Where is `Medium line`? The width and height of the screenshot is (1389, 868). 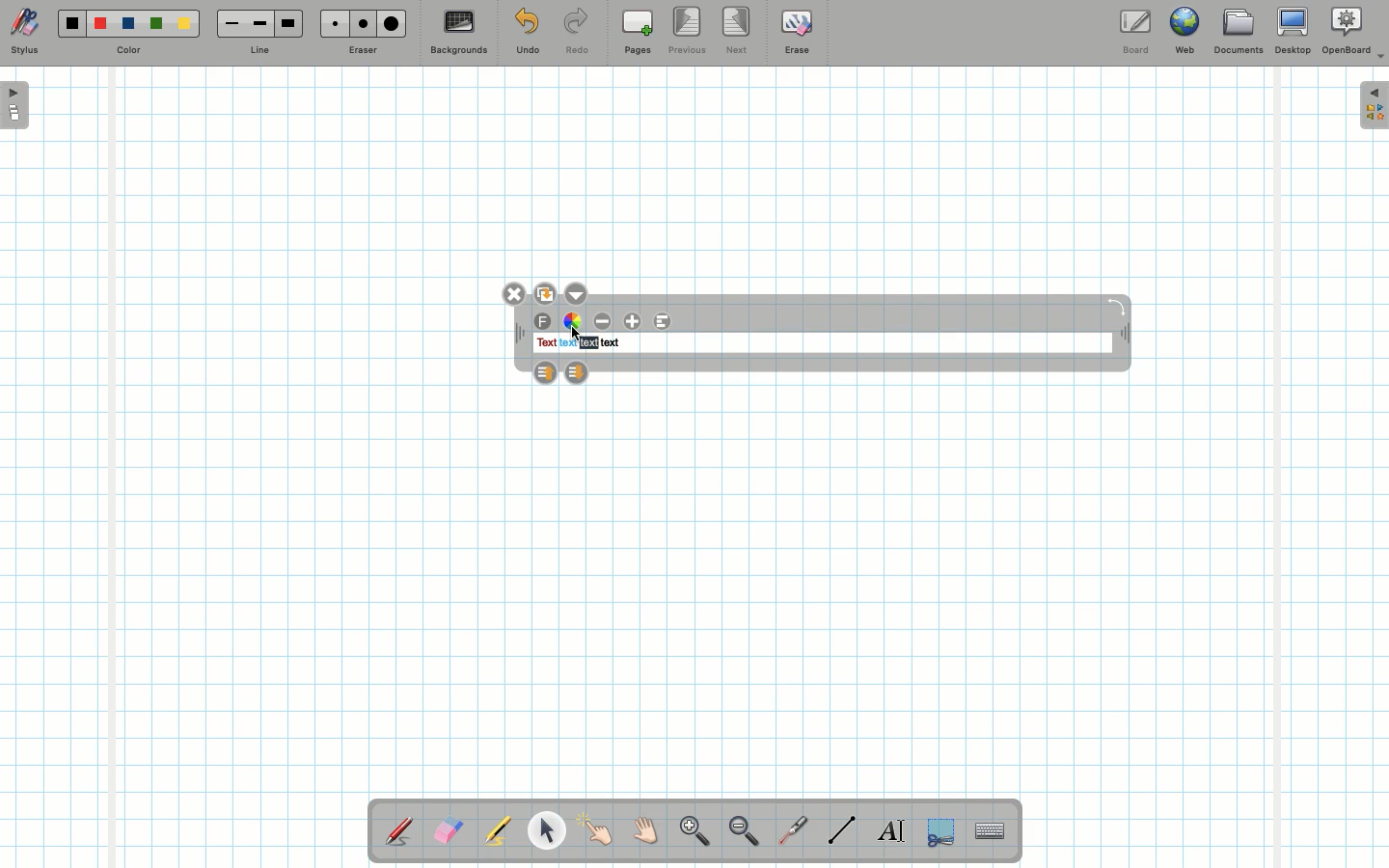 Medium line is located at coordinates (259, 23).